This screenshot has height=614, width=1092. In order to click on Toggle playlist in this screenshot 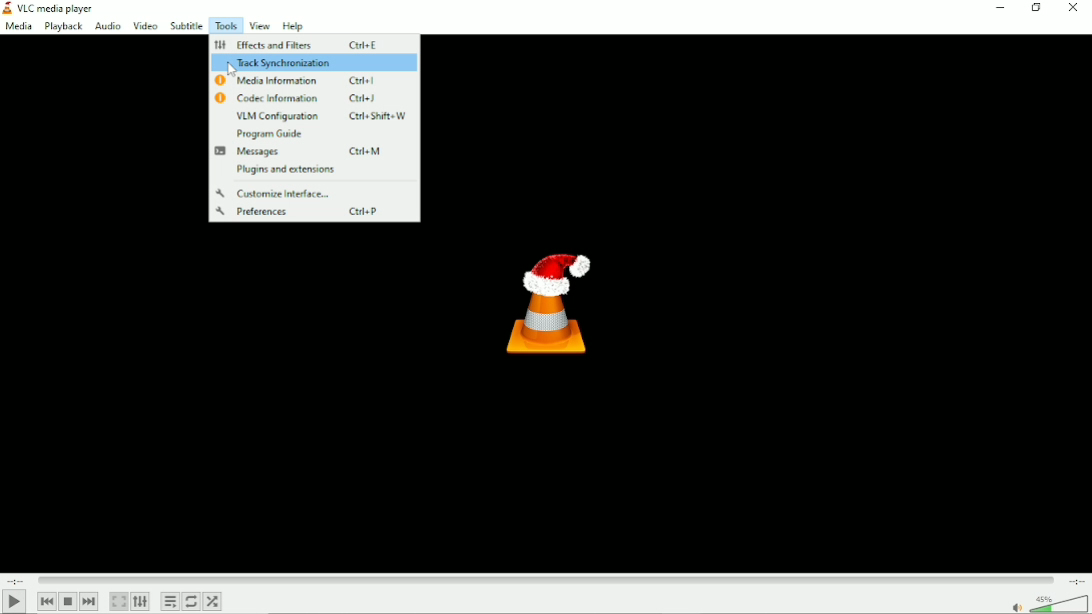, I will do `click(169, 601)`.